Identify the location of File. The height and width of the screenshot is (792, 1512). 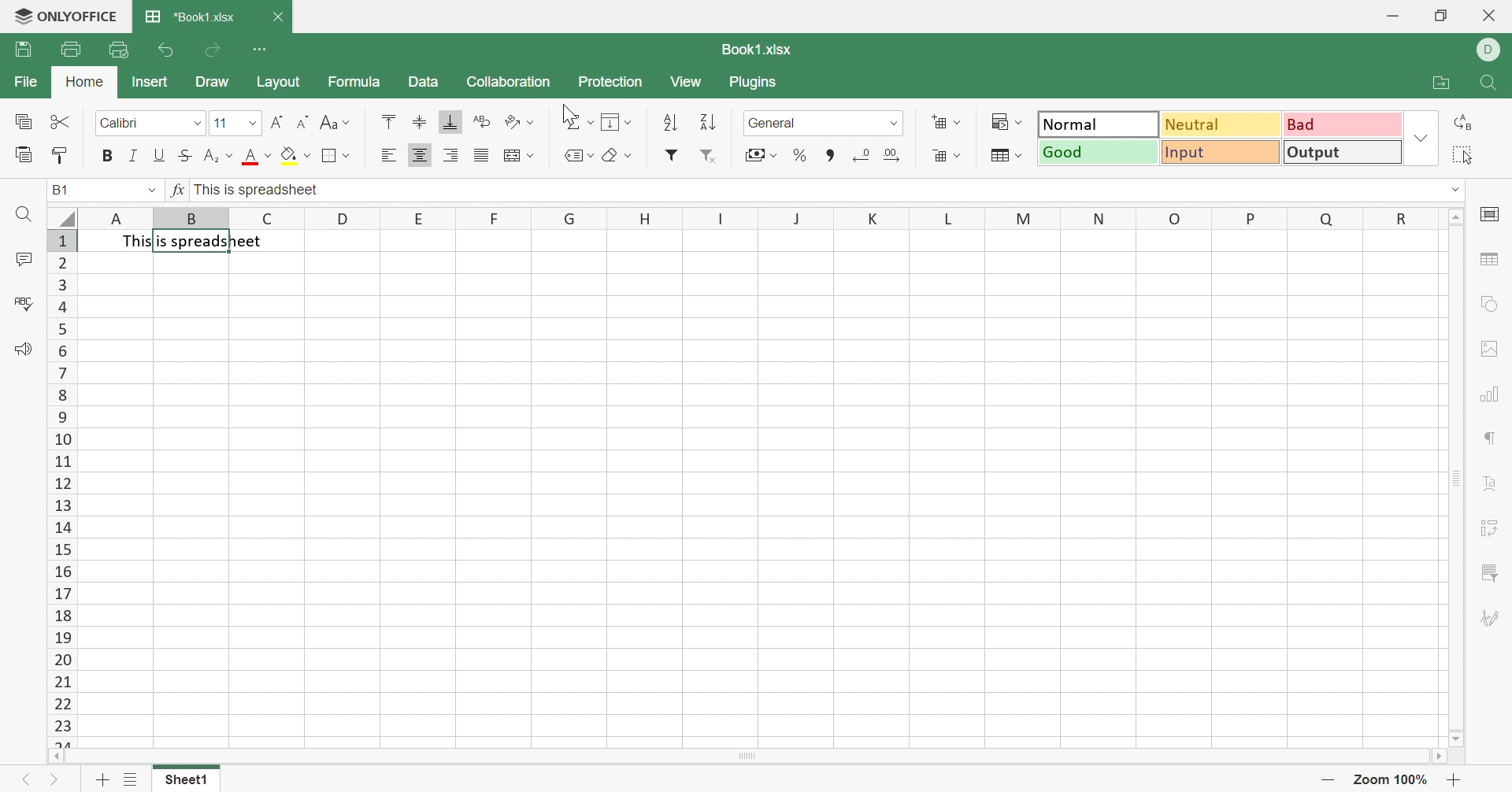
(27, 83).